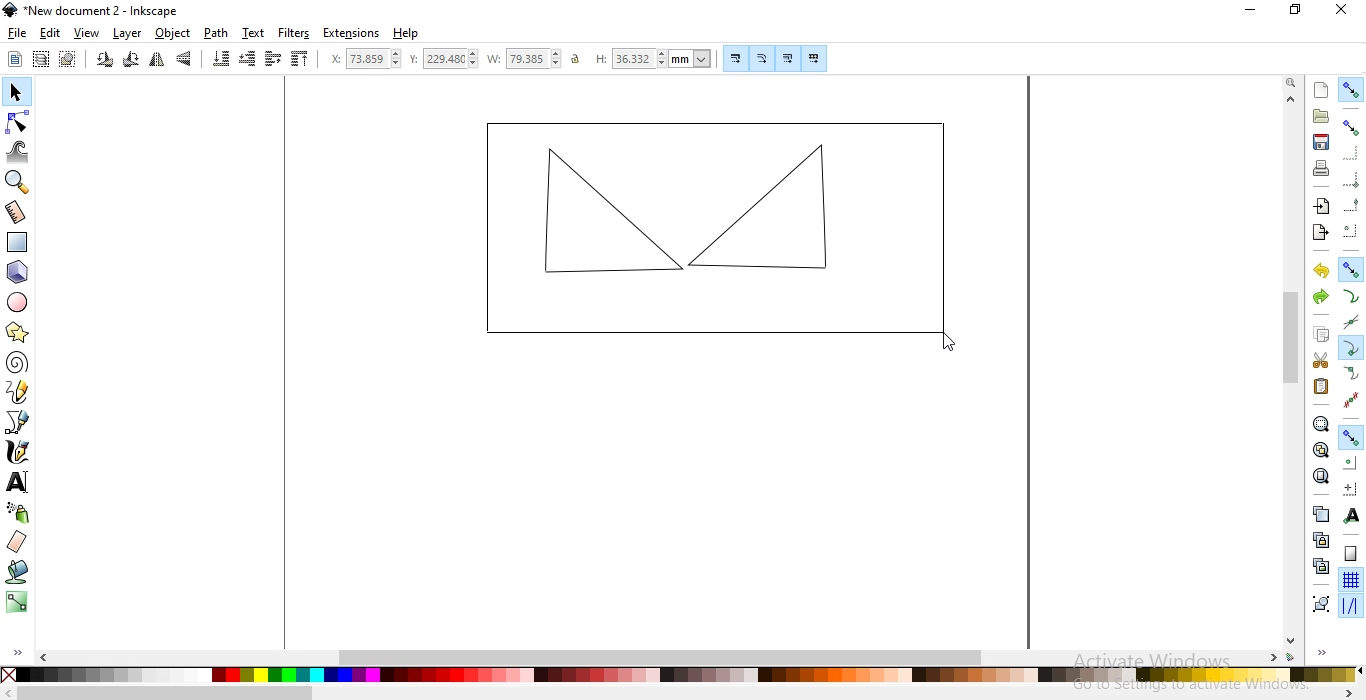 This screenshot has height=700, width=1366. What do you see at coordinates (1351, 229) in the screenshot?
I see `snapping centers of bounding boxes` at bounding box center [1351, 229].